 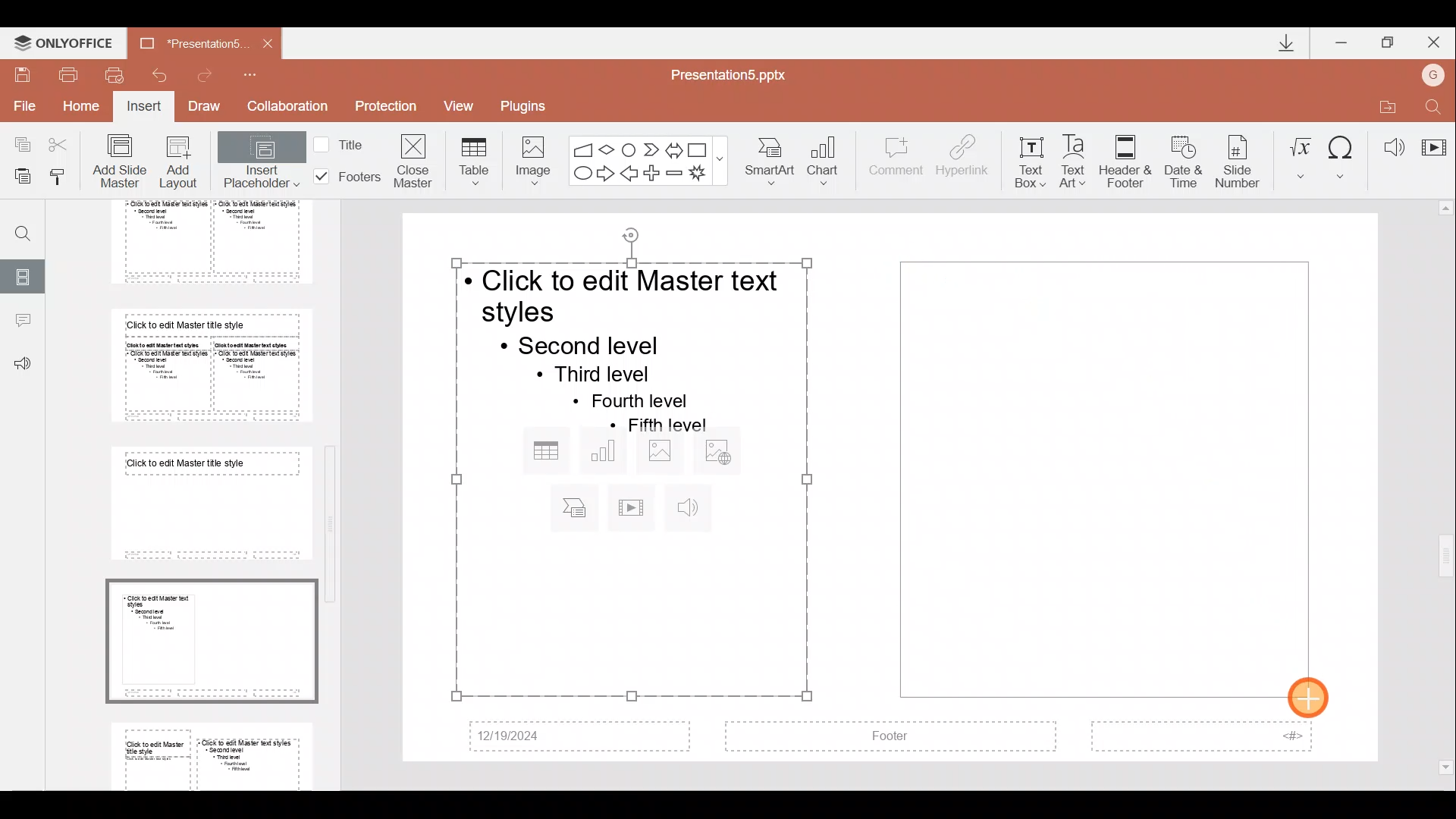 What do you see at coordinates (1280, 42) in the screenshot?
I see `Downloads` at bounding box center [1280, 42].